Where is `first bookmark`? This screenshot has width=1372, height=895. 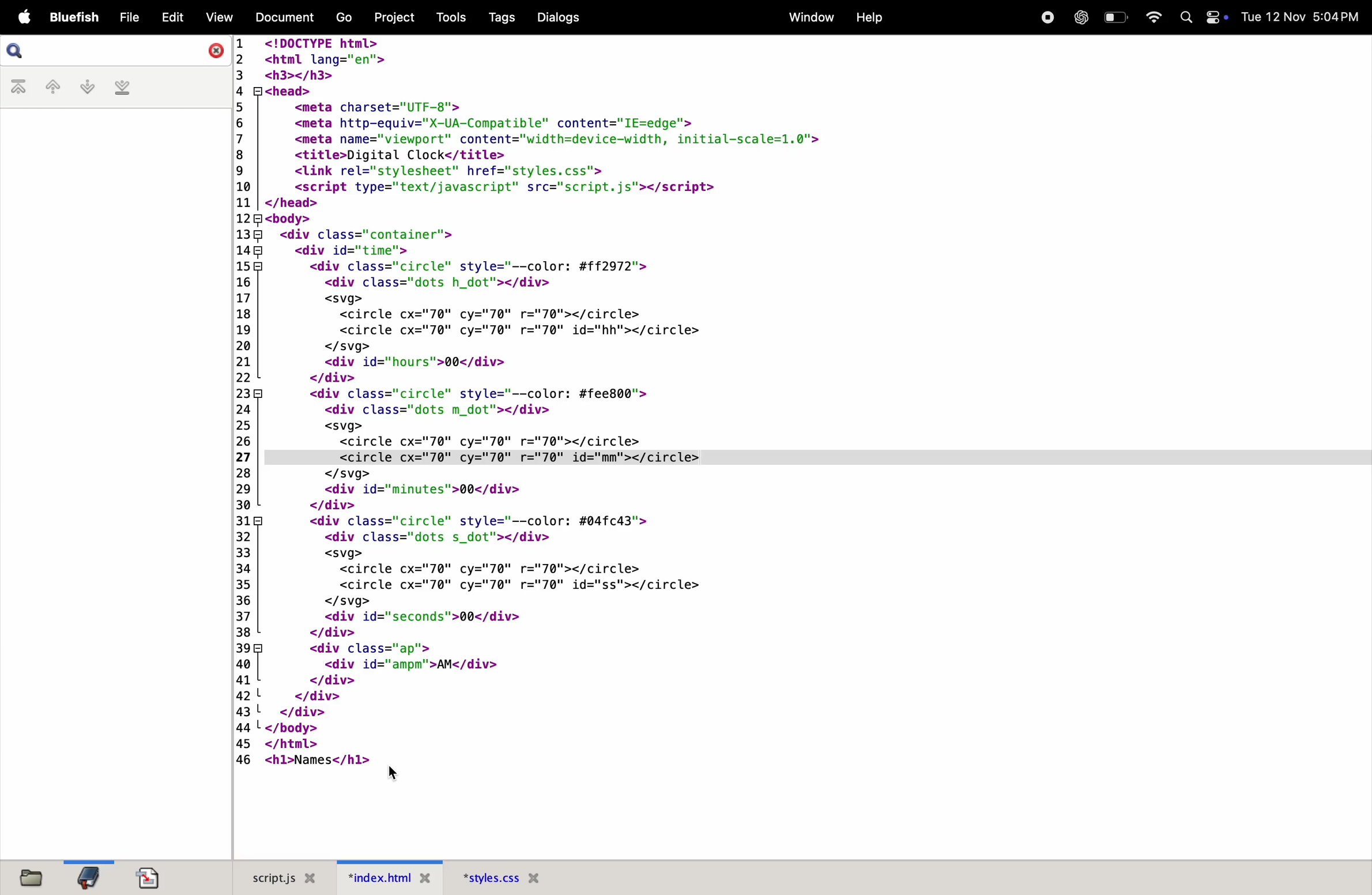 first bookmark is located at coordinates (17, 87).